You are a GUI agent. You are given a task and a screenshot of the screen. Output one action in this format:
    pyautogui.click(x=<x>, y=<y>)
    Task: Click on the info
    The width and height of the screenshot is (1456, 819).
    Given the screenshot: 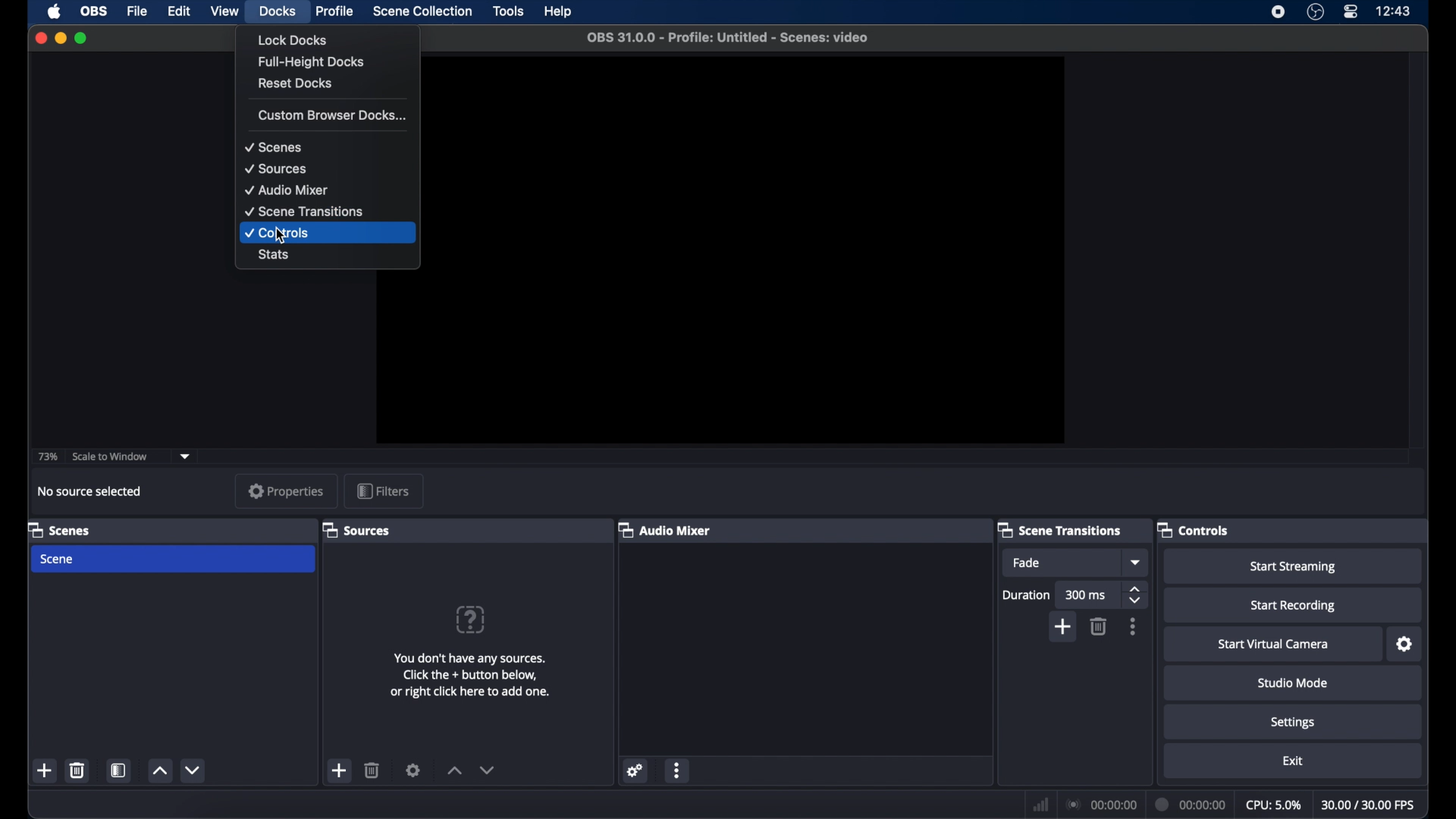 What is the action you would take?
    pyautogui.click(x=470, y=675)
    